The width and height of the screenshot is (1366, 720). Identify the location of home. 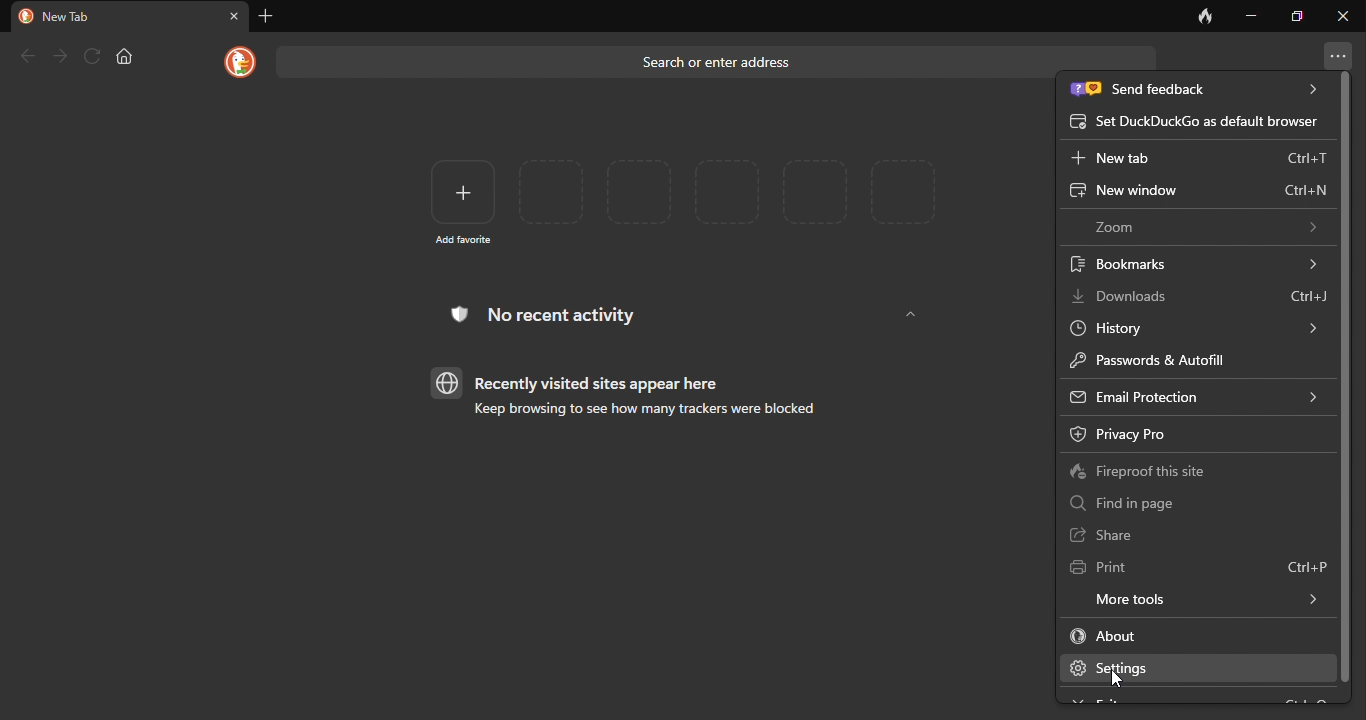
(127, 56).